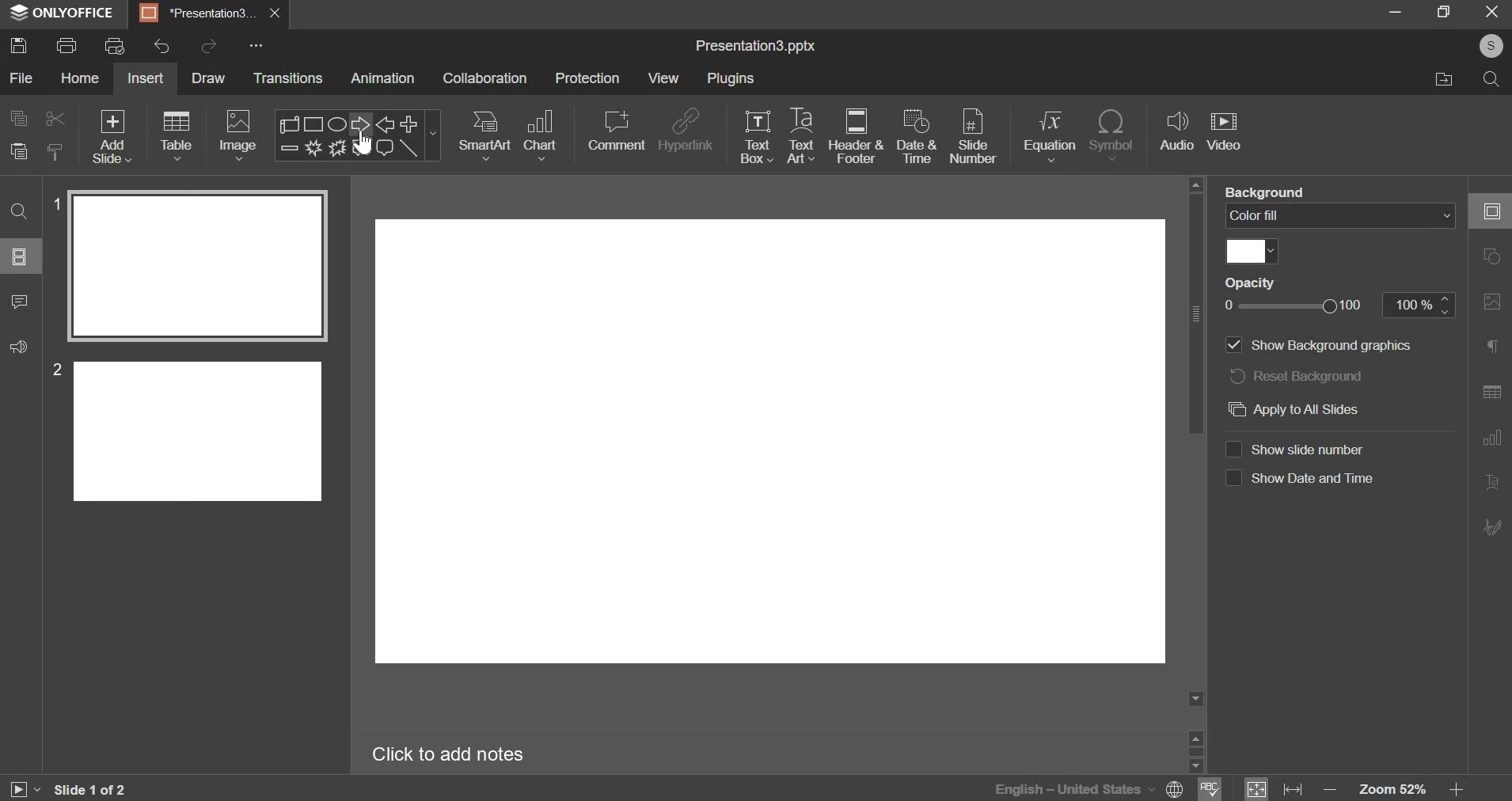 The image size is (1512, 801). Describe the element at coordinates (1293, 790) in the screenshot. I see `fit to width` at that location.